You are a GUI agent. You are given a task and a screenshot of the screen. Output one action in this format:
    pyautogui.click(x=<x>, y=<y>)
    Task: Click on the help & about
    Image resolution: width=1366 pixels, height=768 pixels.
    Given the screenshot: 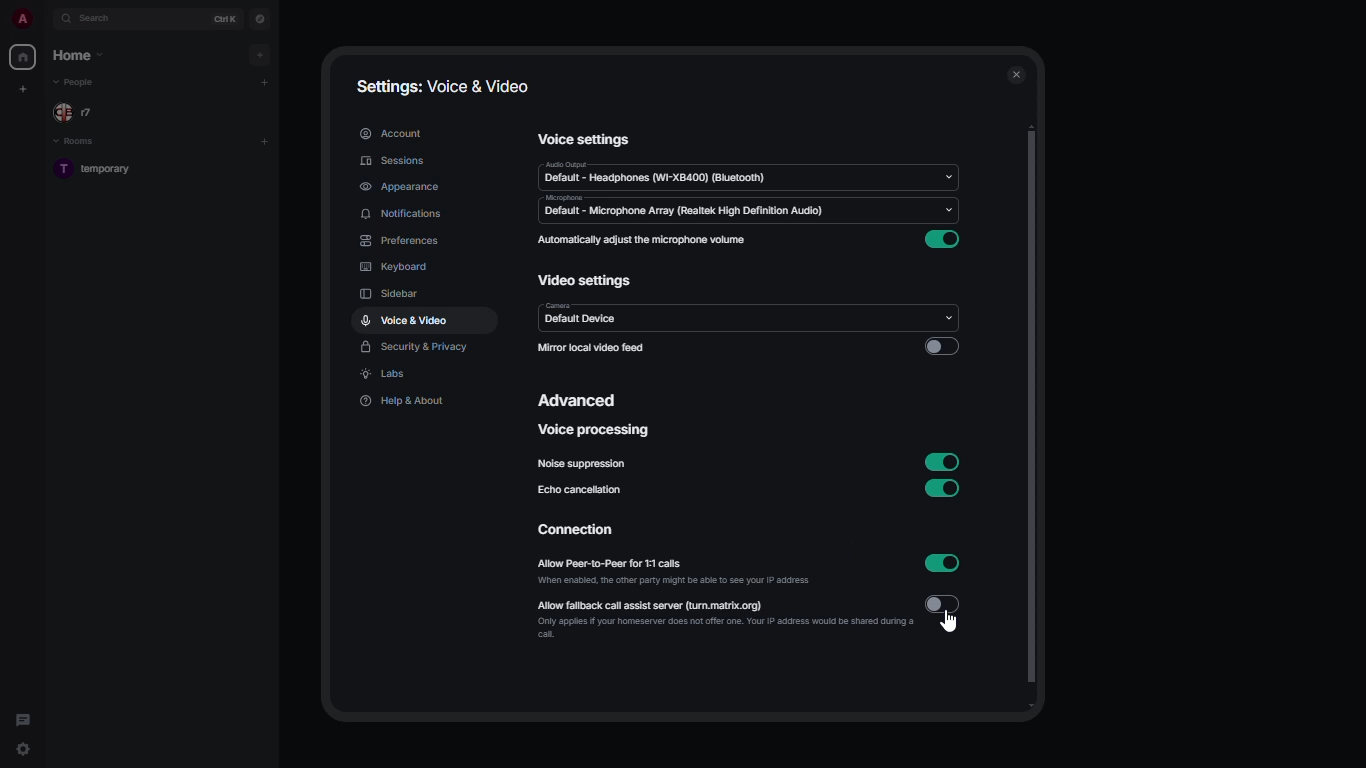 What is the action you would take?
    pyautogui.click(x=405, y=402)
    